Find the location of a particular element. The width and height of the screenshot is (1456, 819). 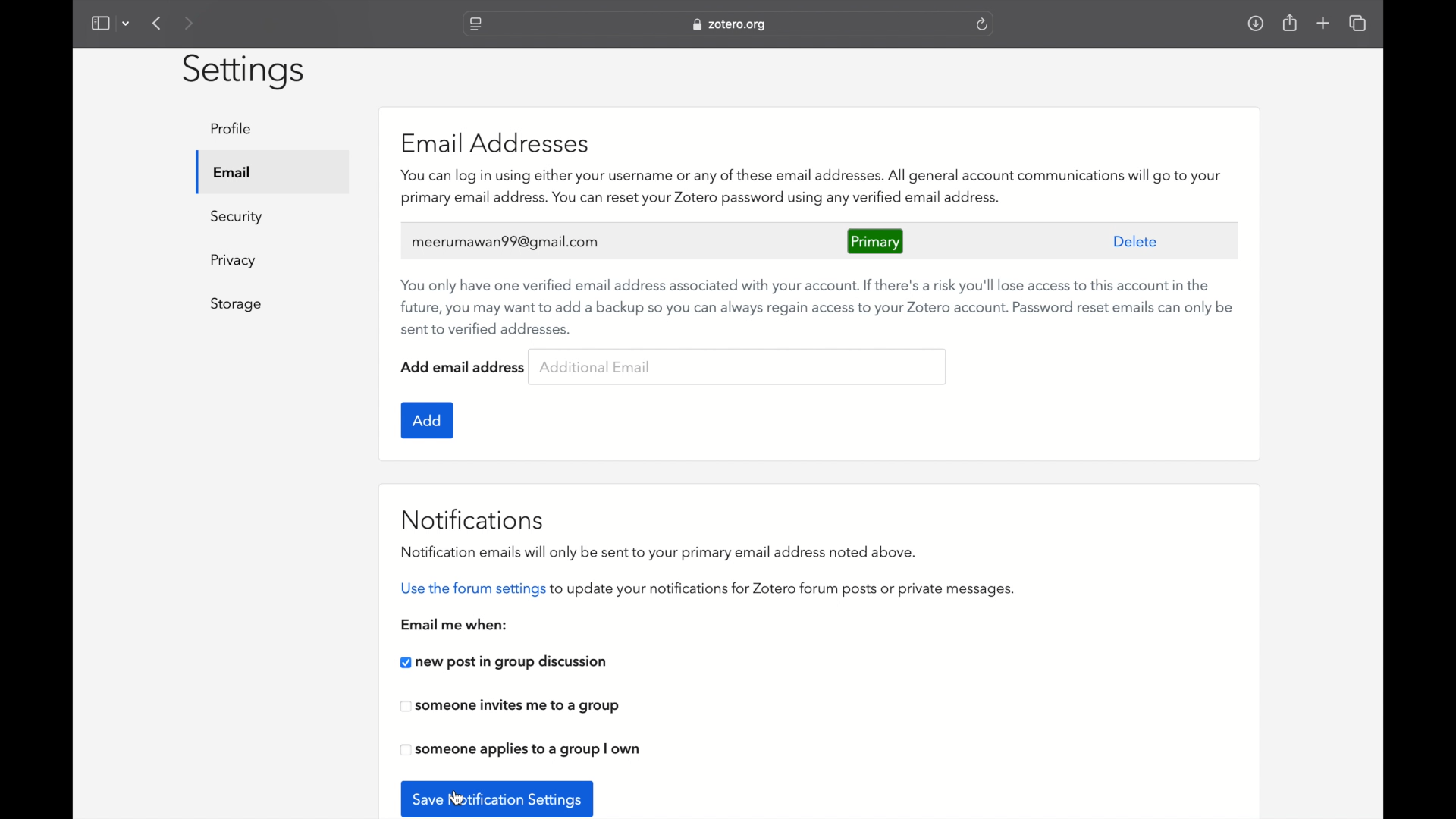

show sidebar is located at coordinates (99, 23).